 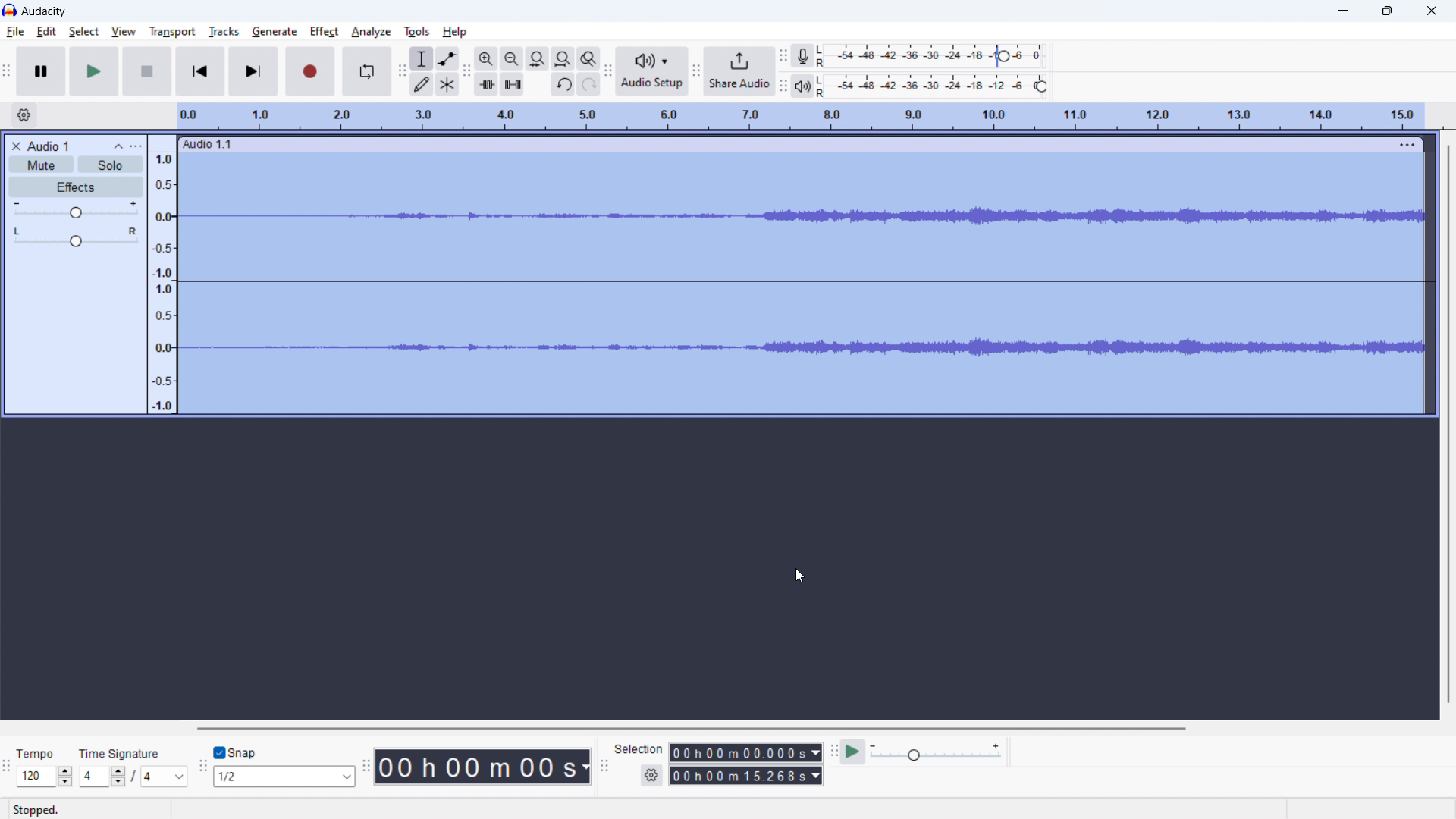 What do you see at coordinates (199, 71) in the screenshot?
I see `skip to start` at bounding box center [199, 71].